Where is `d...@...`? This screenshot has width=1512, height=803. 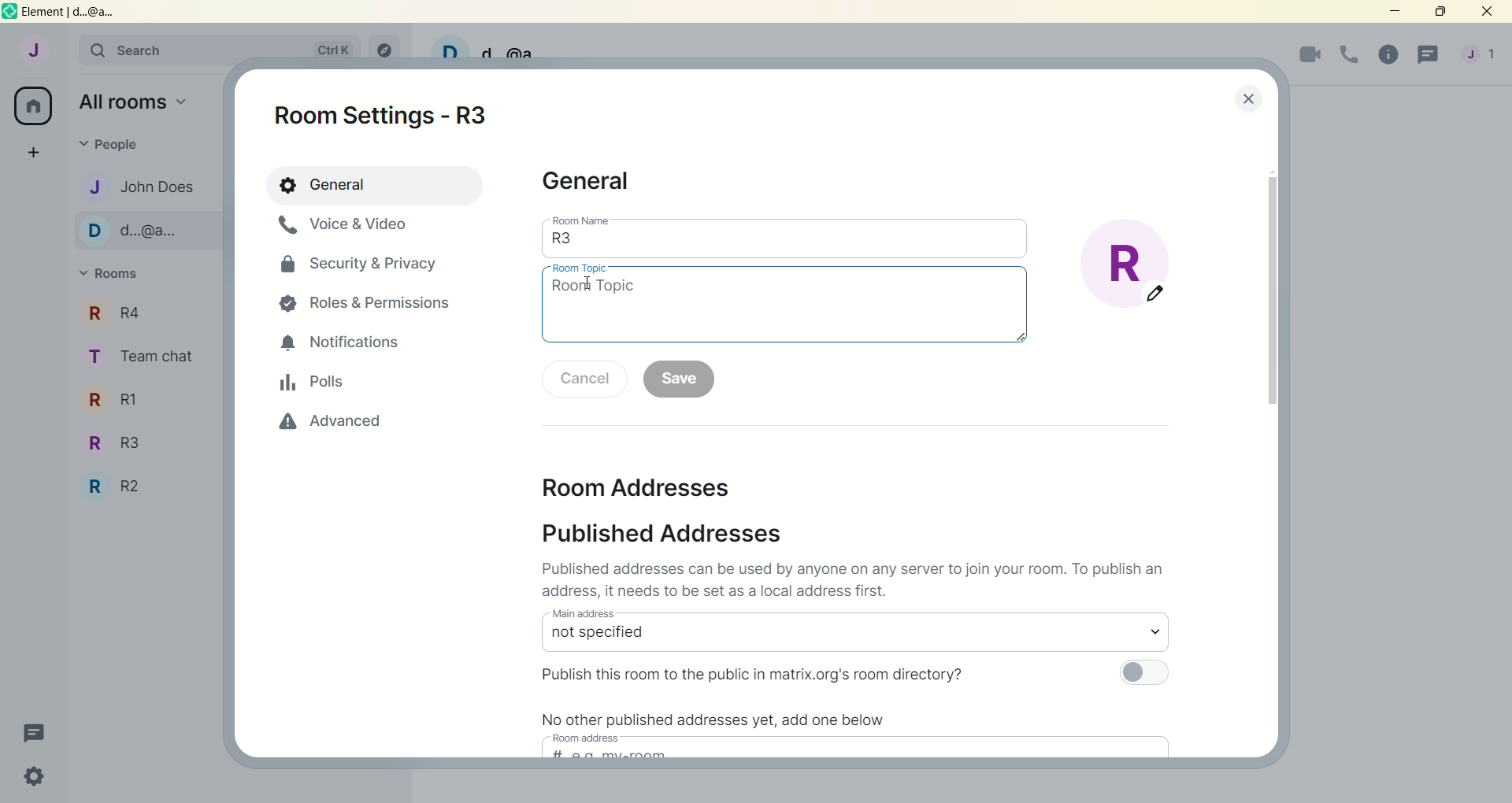 d...@... is located at coordinates (141, 231).